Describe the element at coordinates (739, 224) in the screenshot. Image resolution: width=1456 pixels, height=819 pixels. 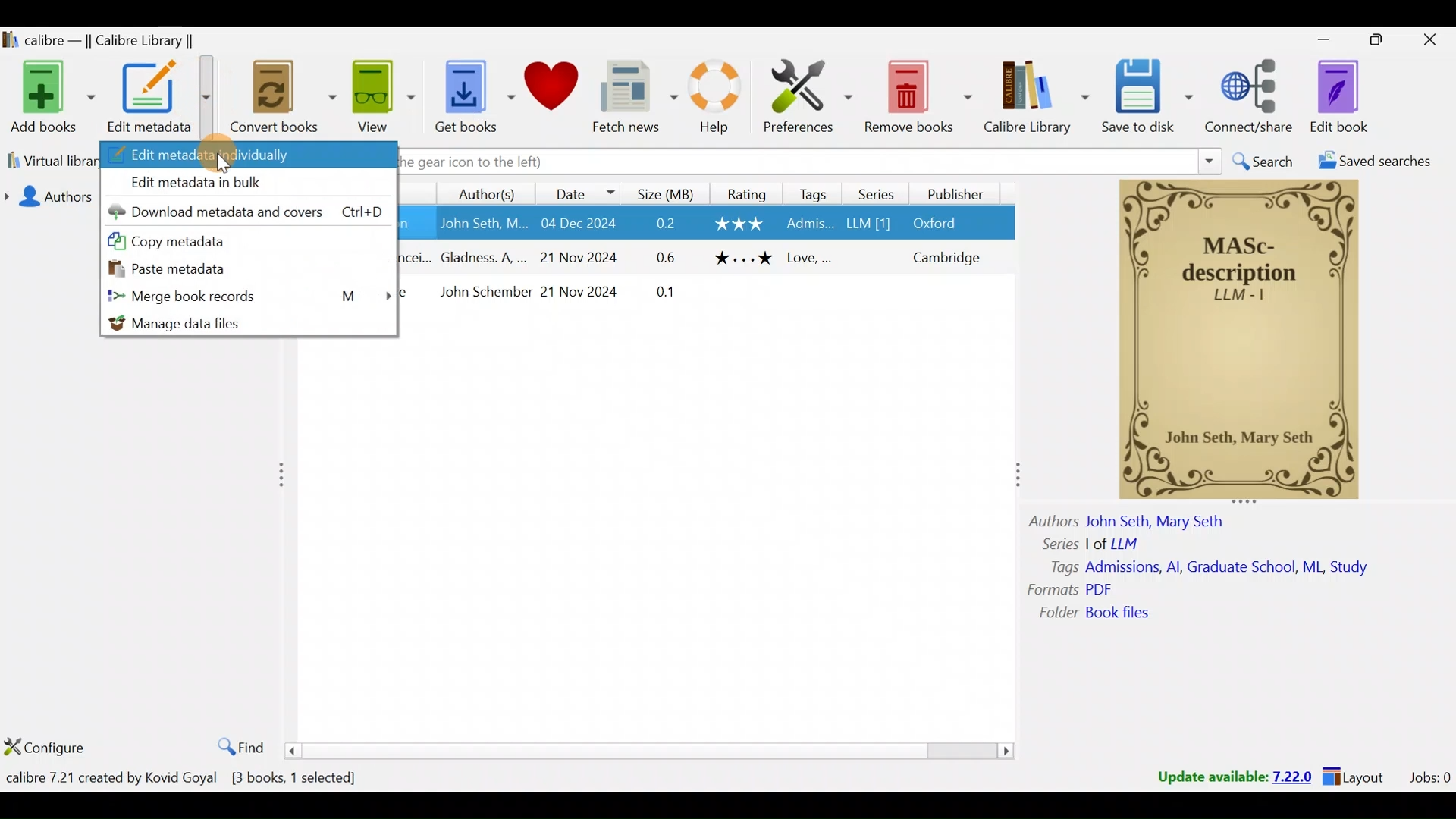
I see `` at that location.